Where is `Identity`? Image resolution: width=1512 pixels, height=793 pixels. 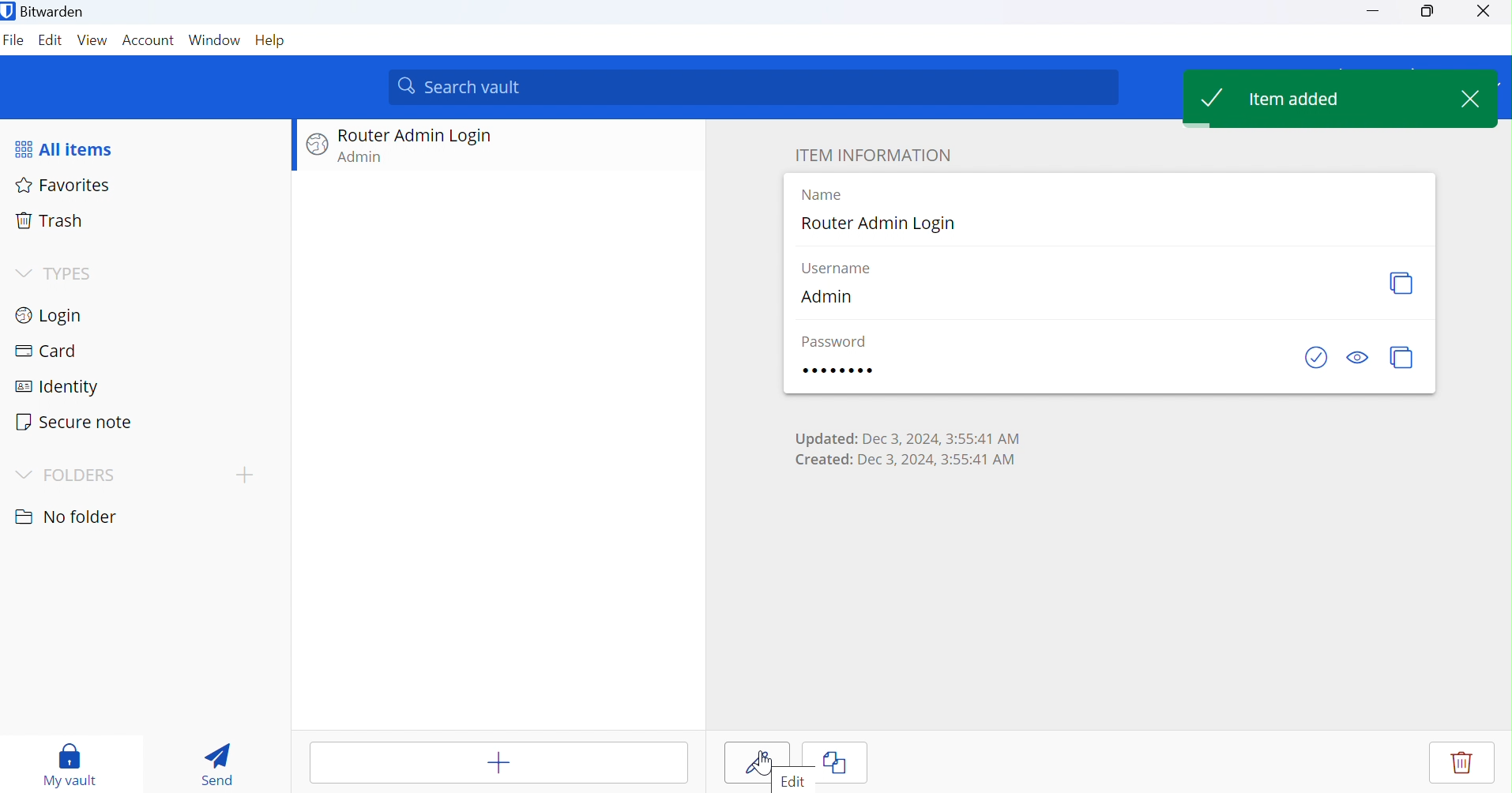
Identity is located at coordinates (60, 385).